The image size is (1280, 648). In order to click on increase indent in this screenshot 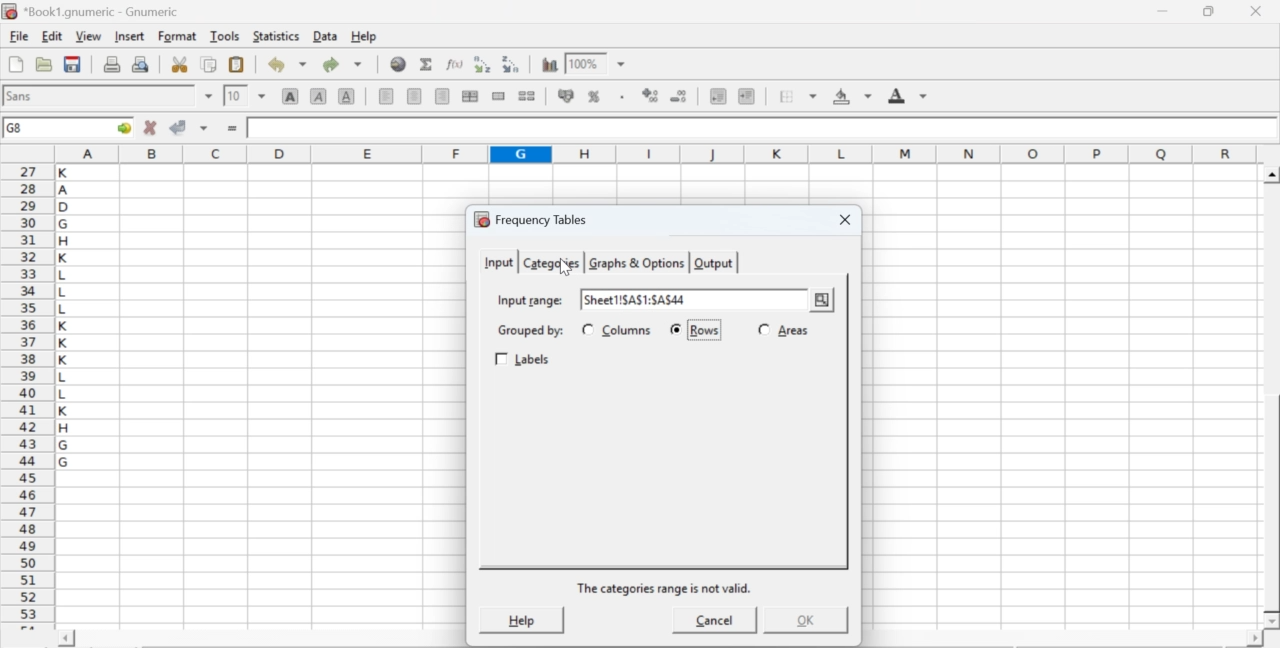, I will do `click(746, 97)`.